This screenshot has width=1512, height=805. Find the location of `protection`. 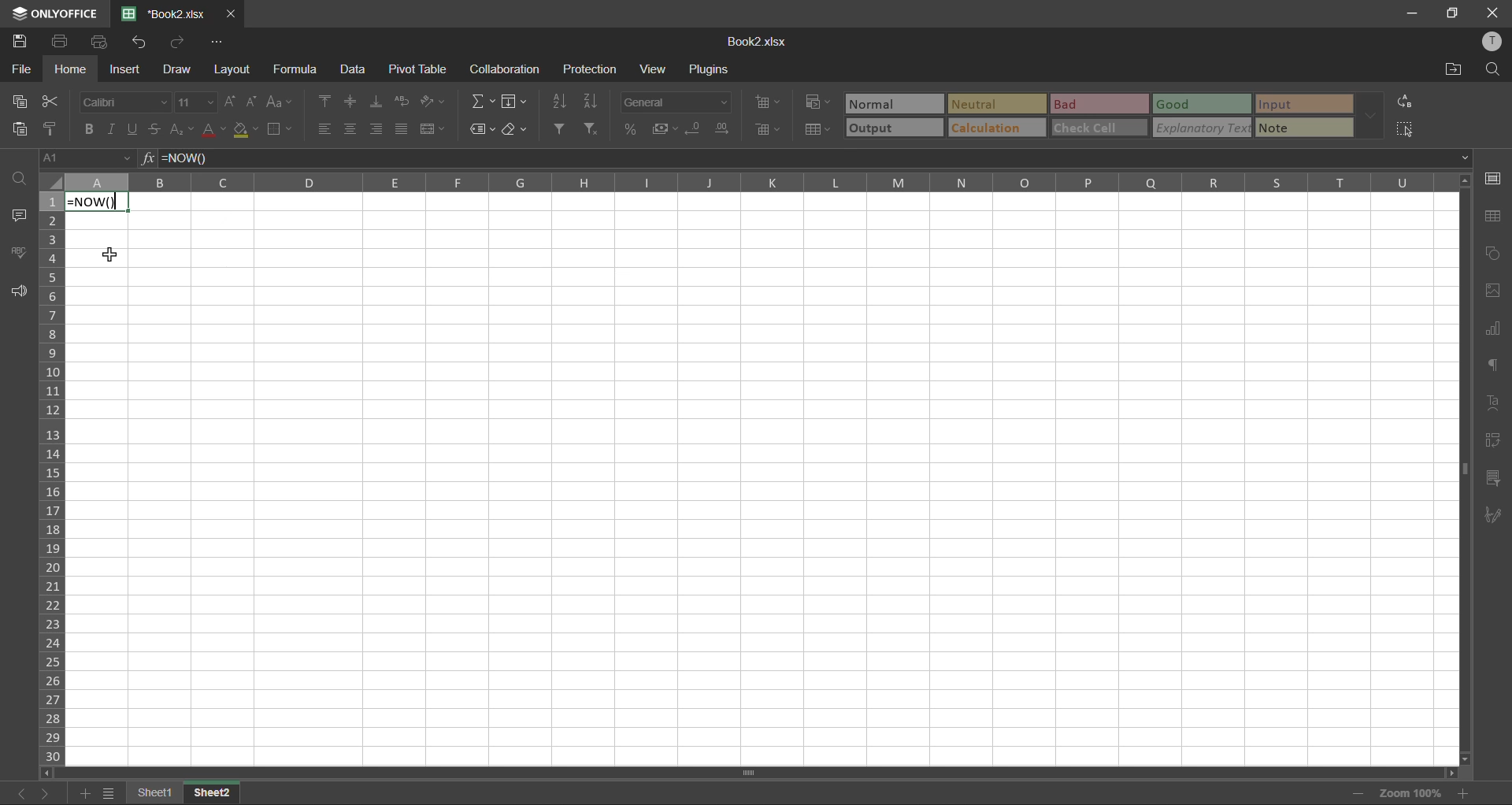

protection is located at coordinates (591, 69).